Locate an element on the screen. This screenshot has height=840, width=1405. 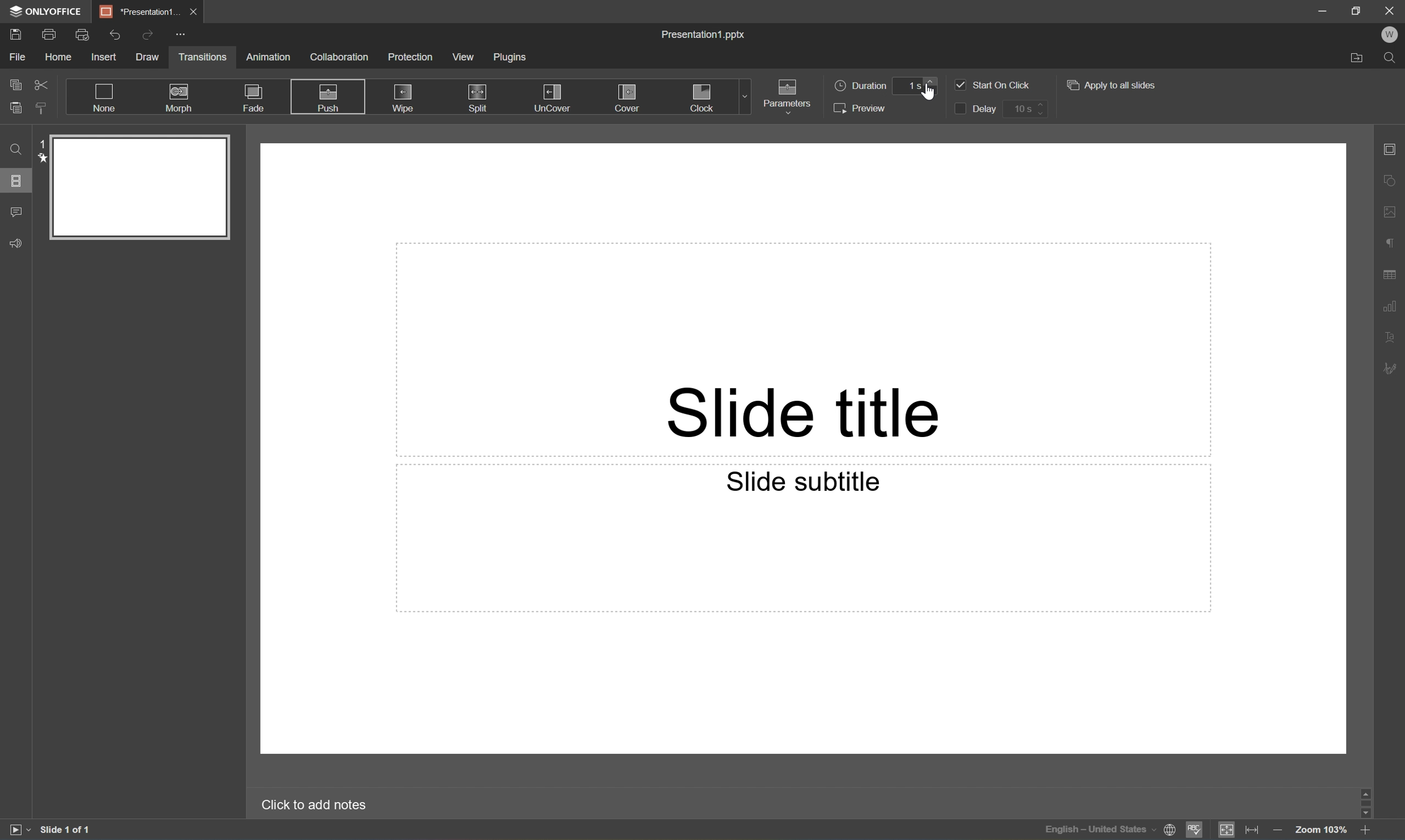
Table settings is located at coordinates (1392, 273).